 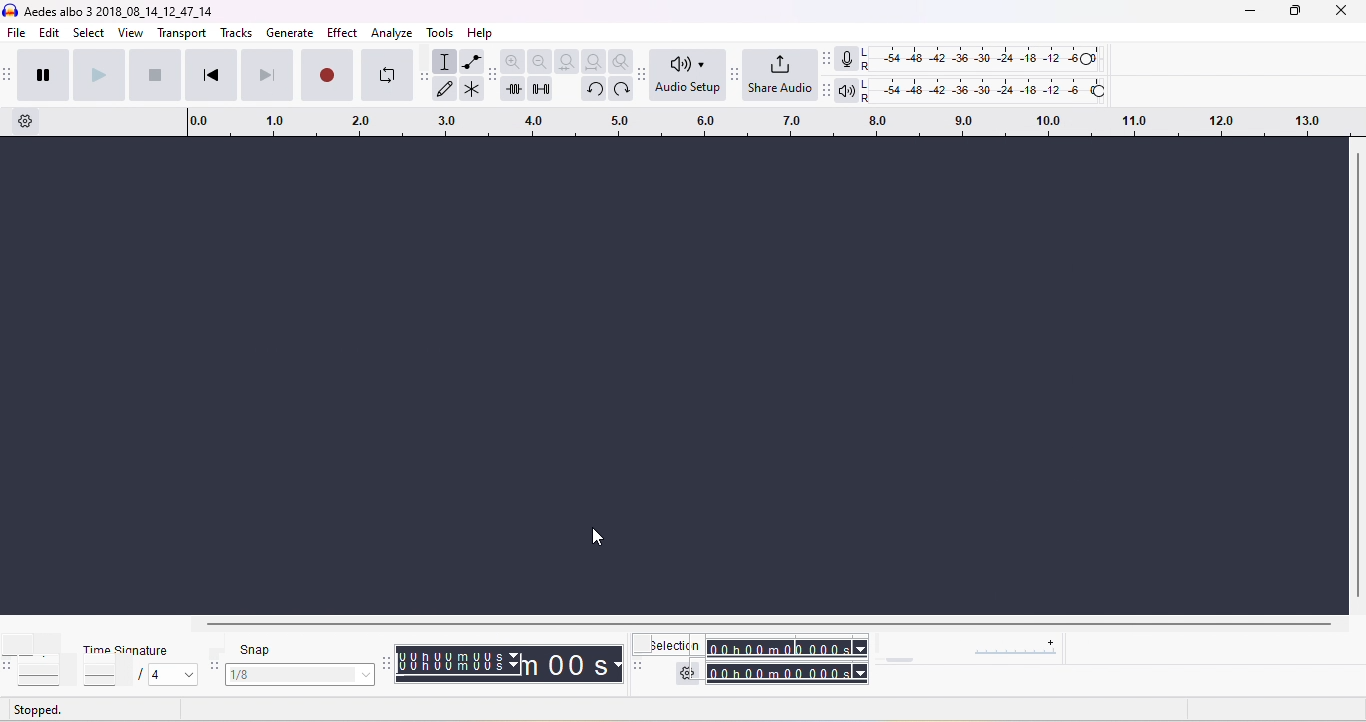 What do you see at coordinates (441, 32) in the screenshot?
I see `tools` at bounding box center [441, 32].